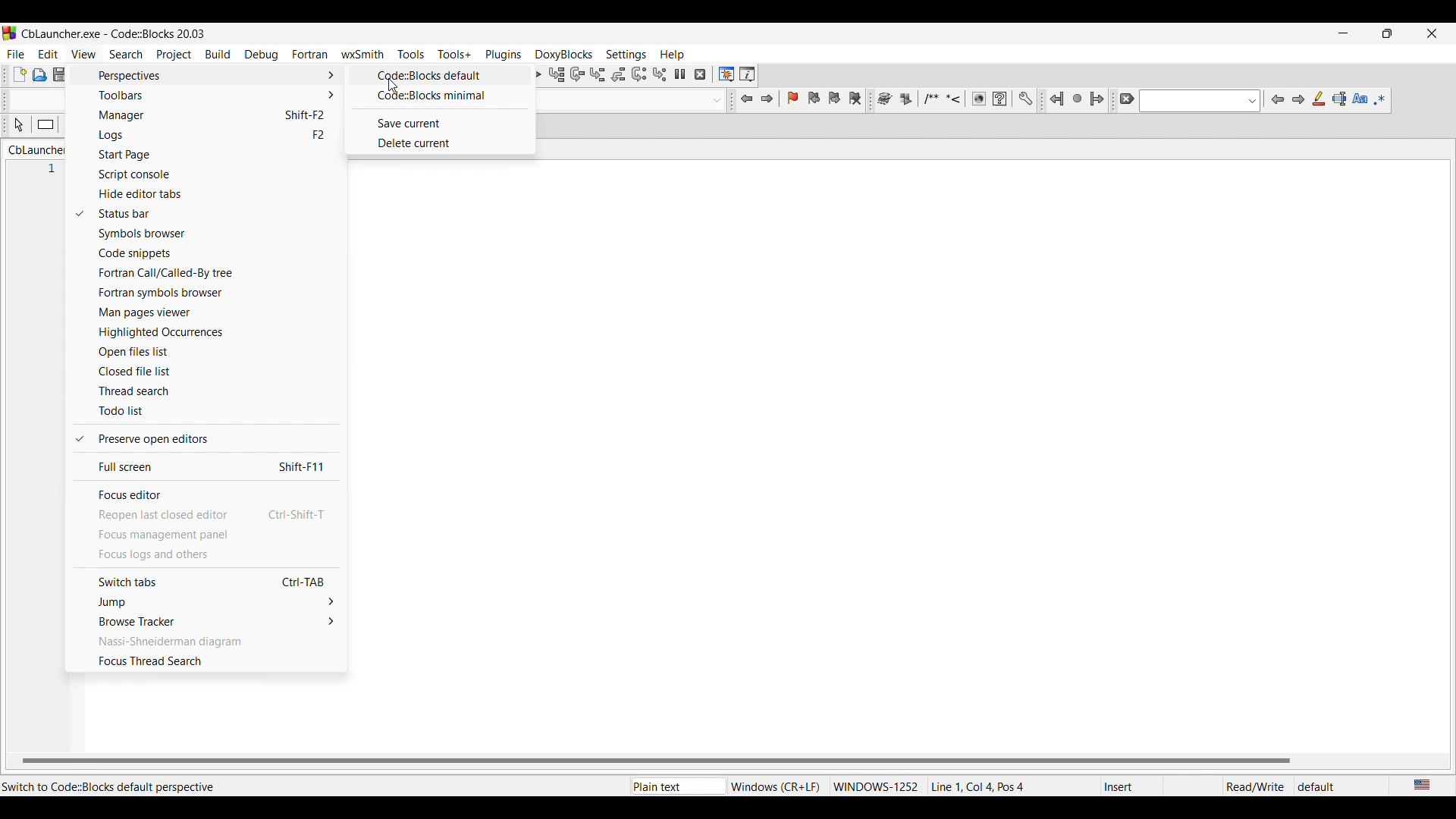 This screenshot has height=819, width=1456. I want to click on Jump back, so click(748, 99).